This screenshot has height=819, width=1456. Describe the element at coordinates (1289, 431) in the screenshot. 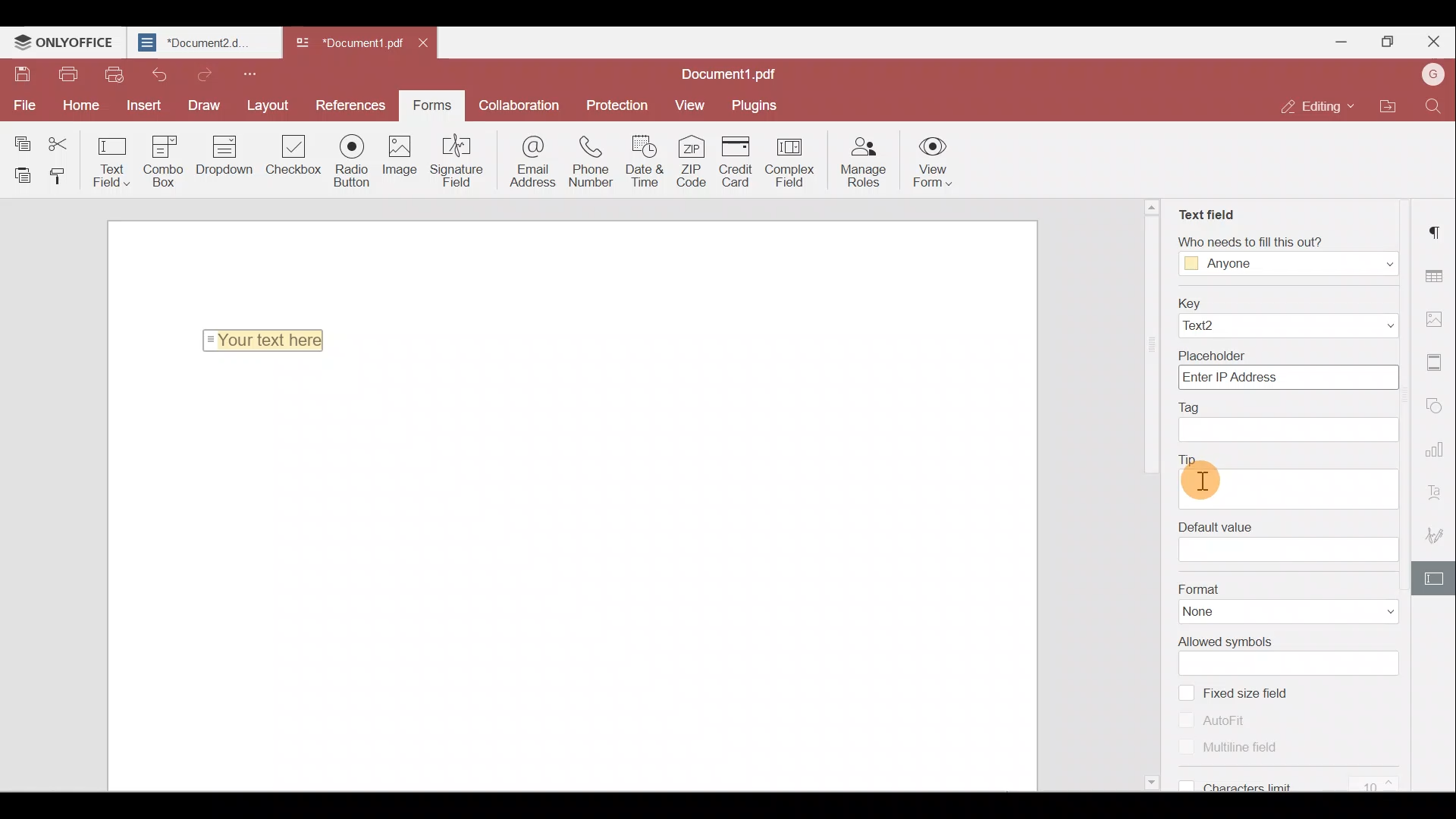

I see `tag field` at that location.